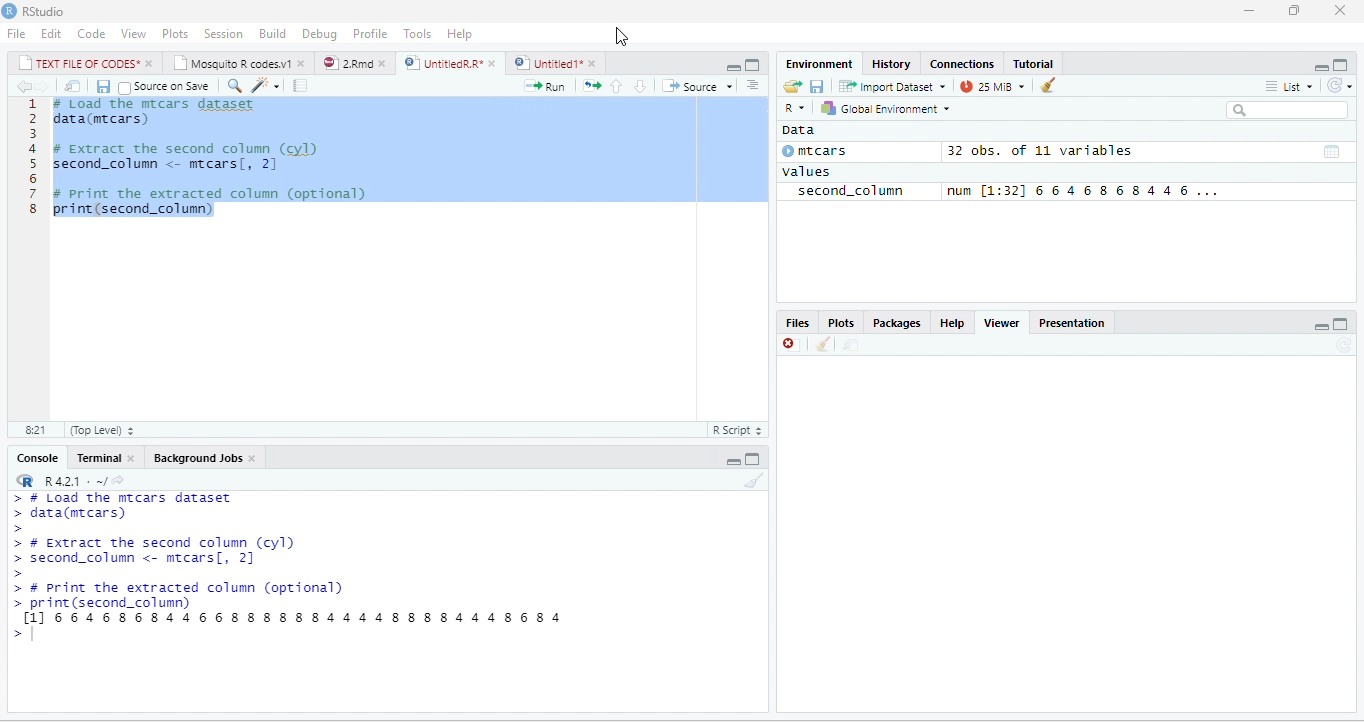 The height and width of the screenshot is (722, 1364). What do you see at coordinates (798, 324) in the screenshot?
I see `Files` at bounding box center [798, 324].